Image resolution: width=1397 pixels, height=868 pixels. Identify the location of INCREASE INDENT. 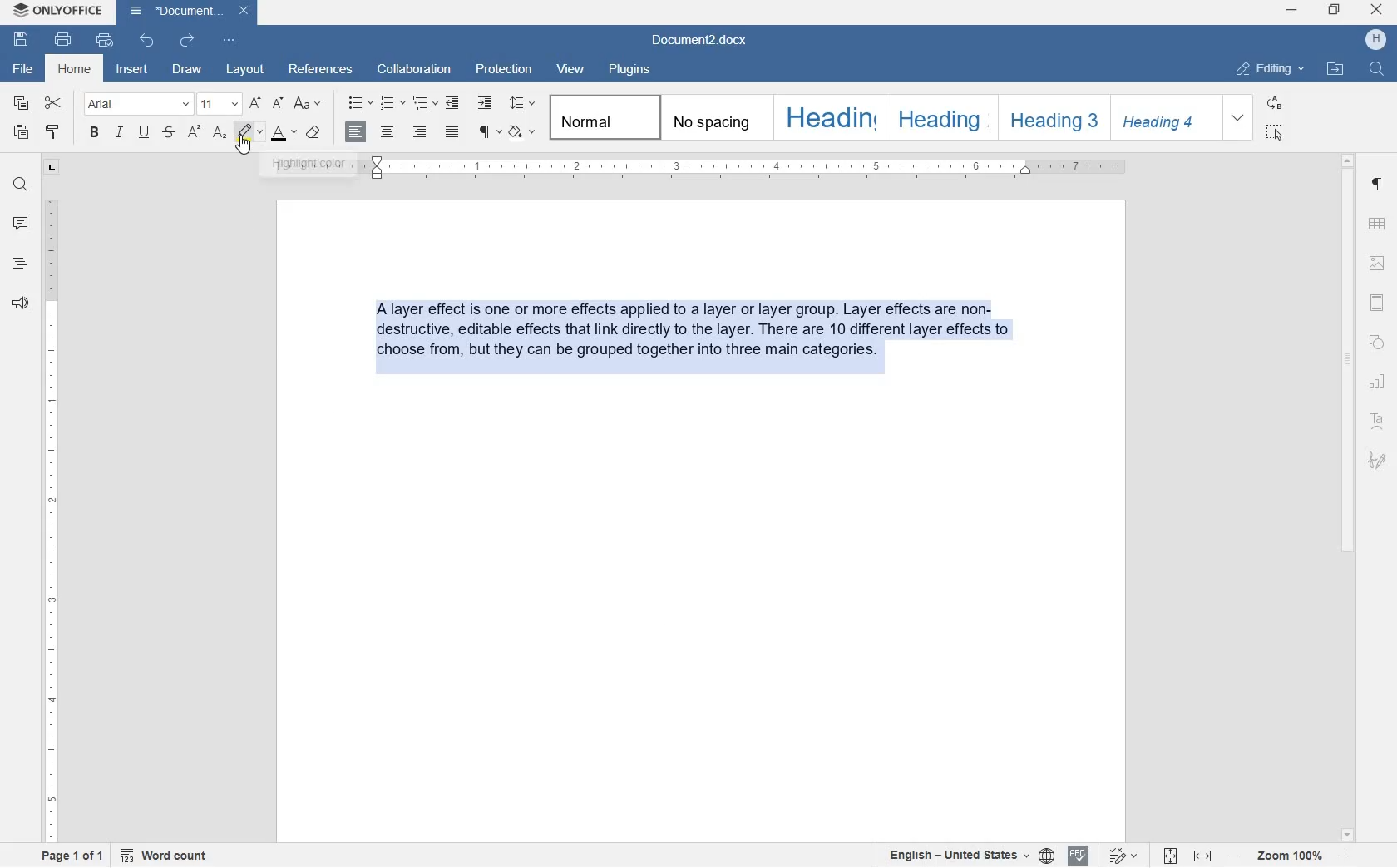
(485, 104).